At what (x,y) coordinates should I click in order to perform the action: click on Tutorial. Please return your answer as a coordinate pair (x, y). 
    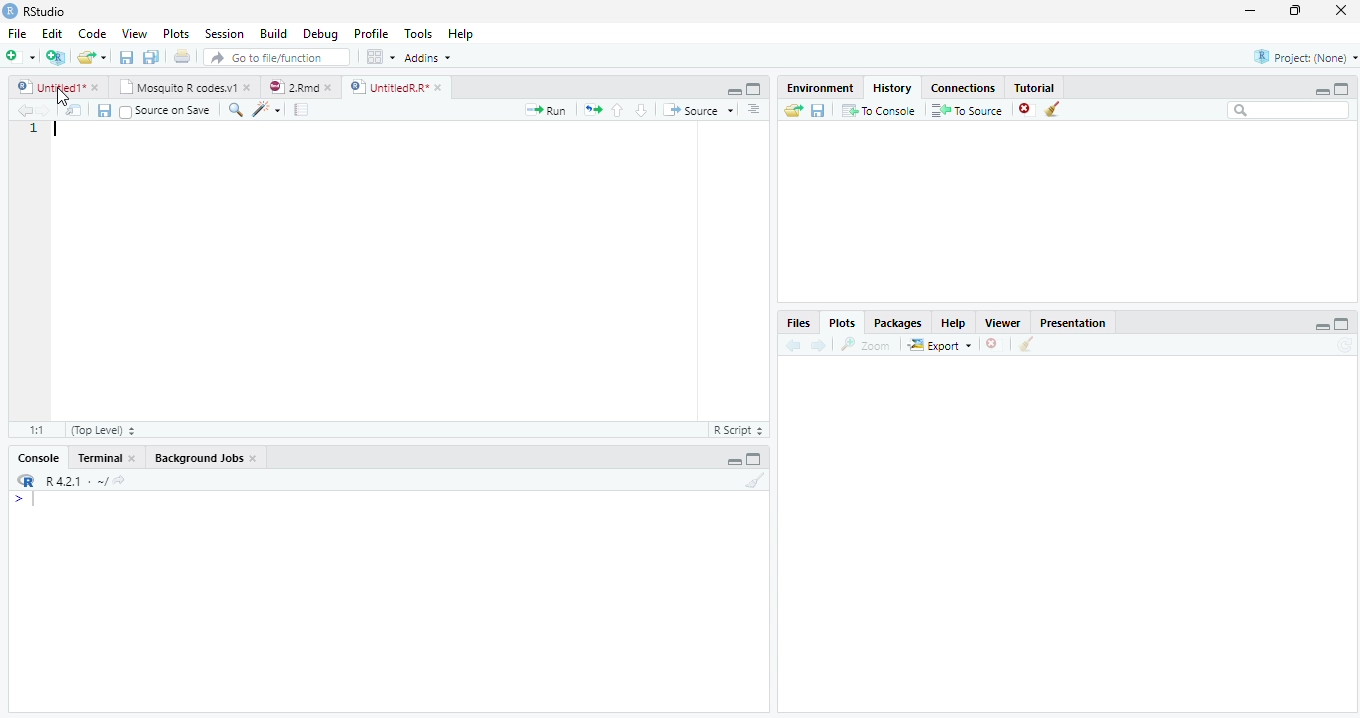
    Looking at the image, I should click on (1035, 87).